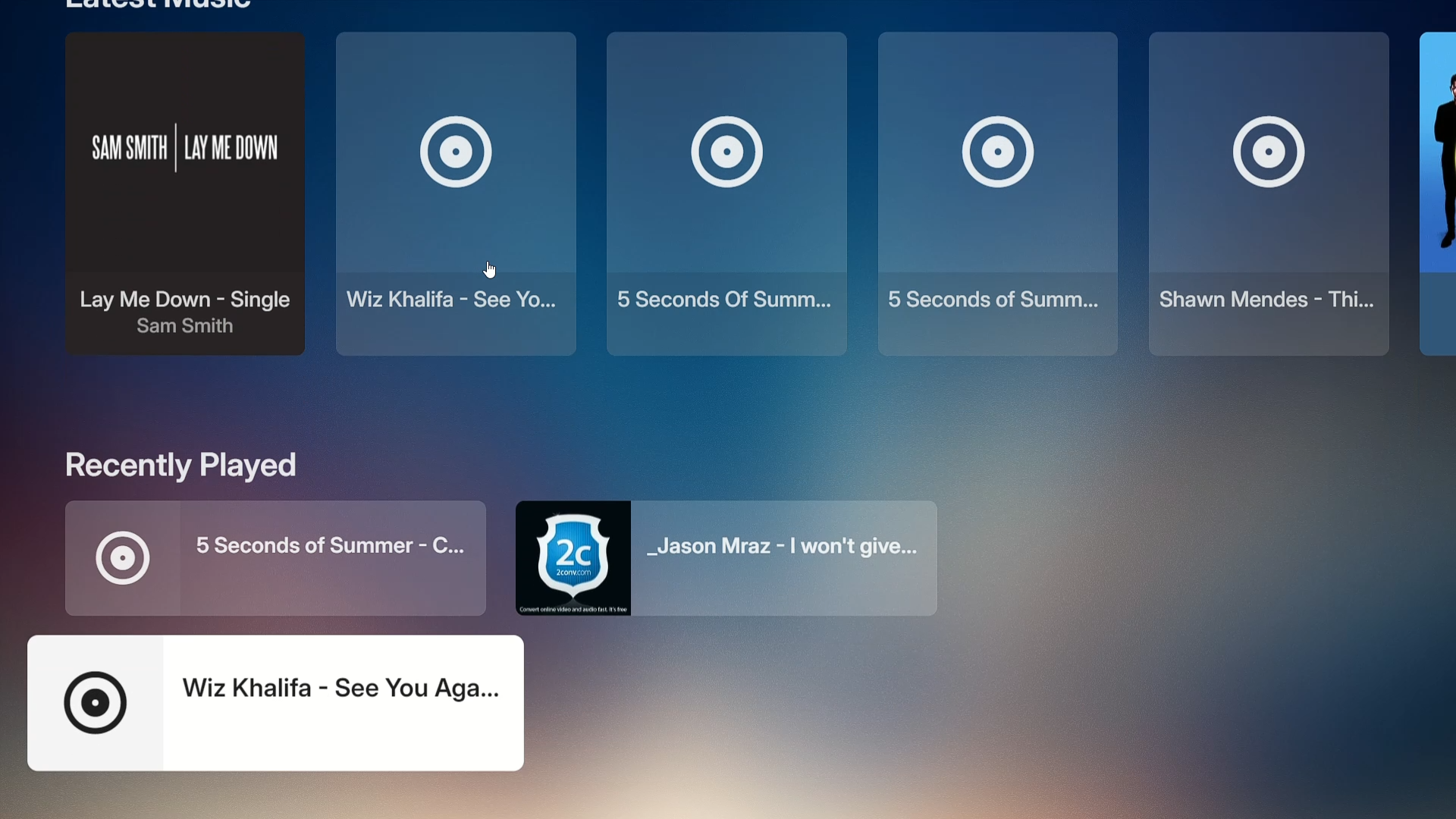 This screenshot has height=819, width=1456. I want to click on Jason Mraz, so click(729, 559).